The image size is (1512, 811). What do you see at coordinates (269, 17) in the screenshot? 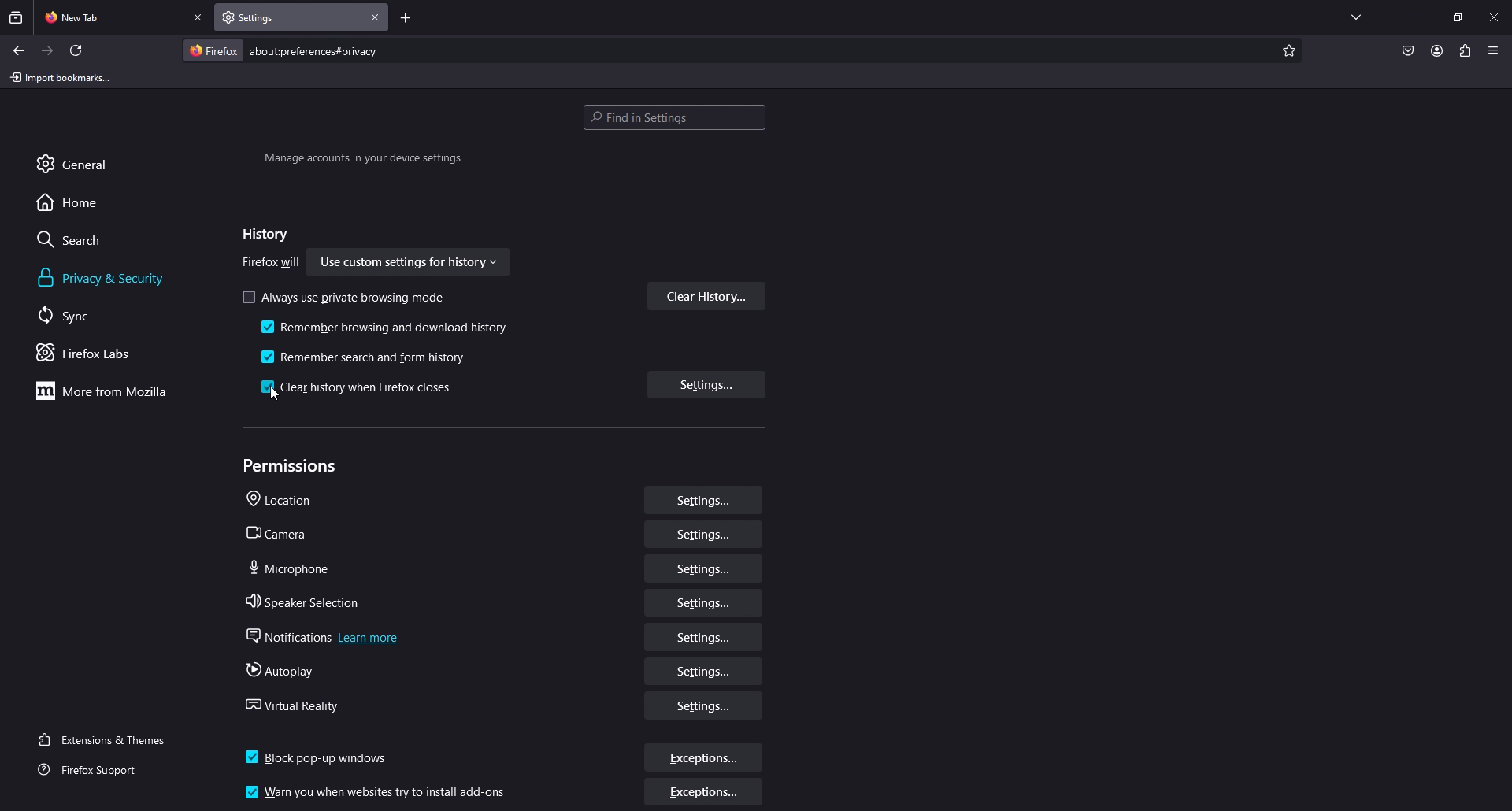
I see `settings tab` at bounding box center [269, 17].